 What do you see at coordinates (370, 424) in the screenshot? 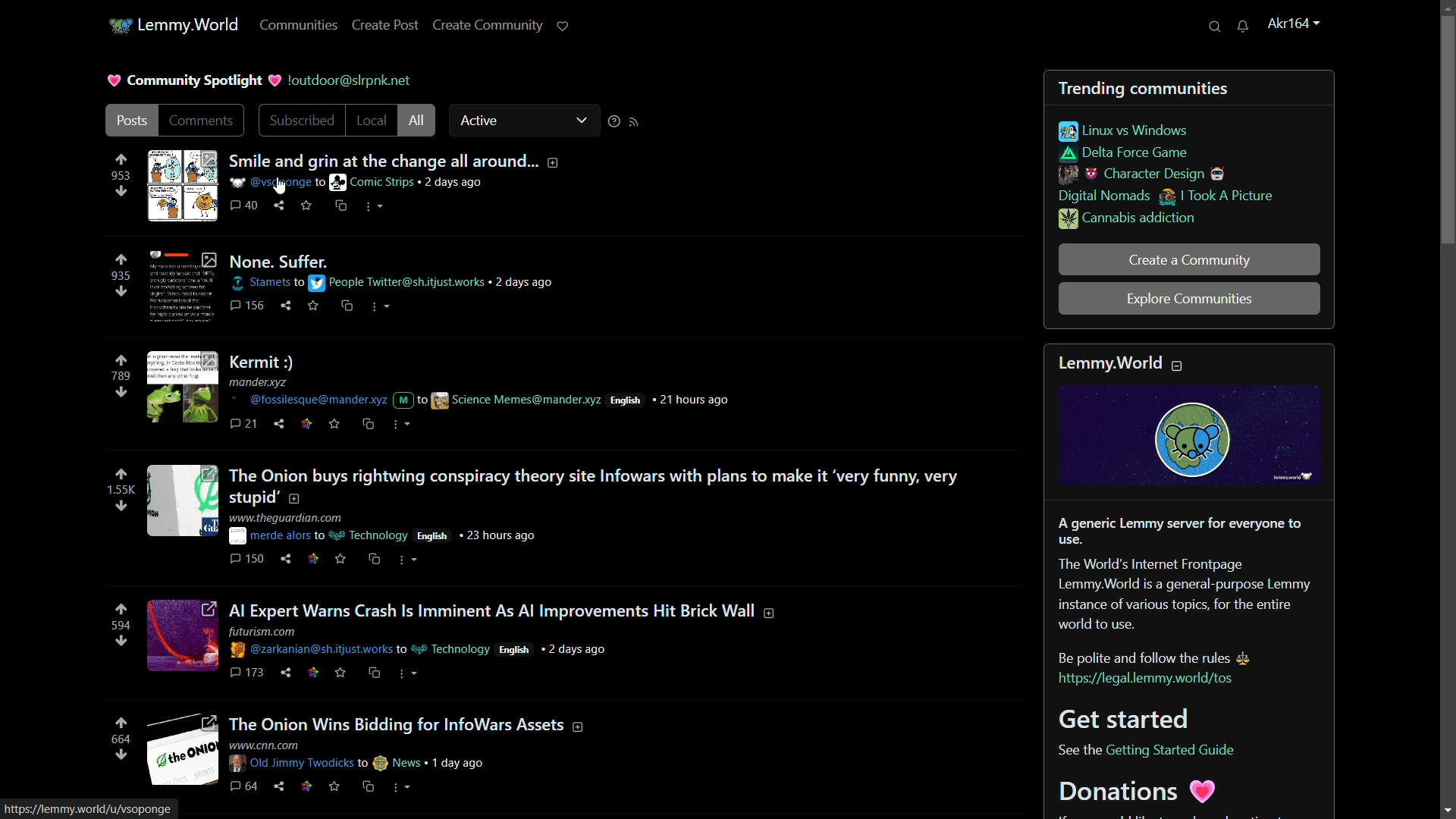
I see `cs` at bounding box center [370, 424].